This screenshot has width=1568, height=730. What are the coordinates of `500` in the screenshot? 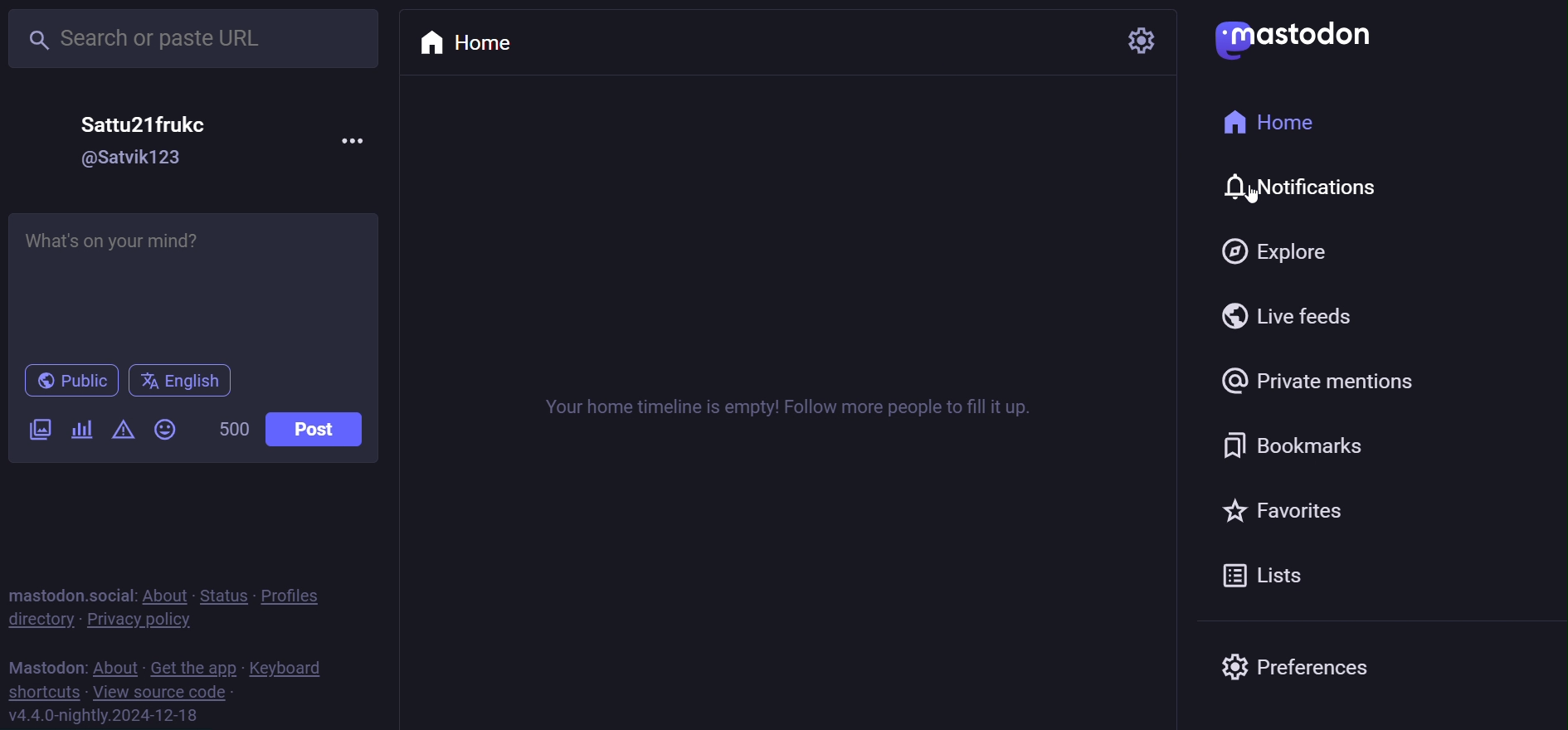 It's located at (231, 428).